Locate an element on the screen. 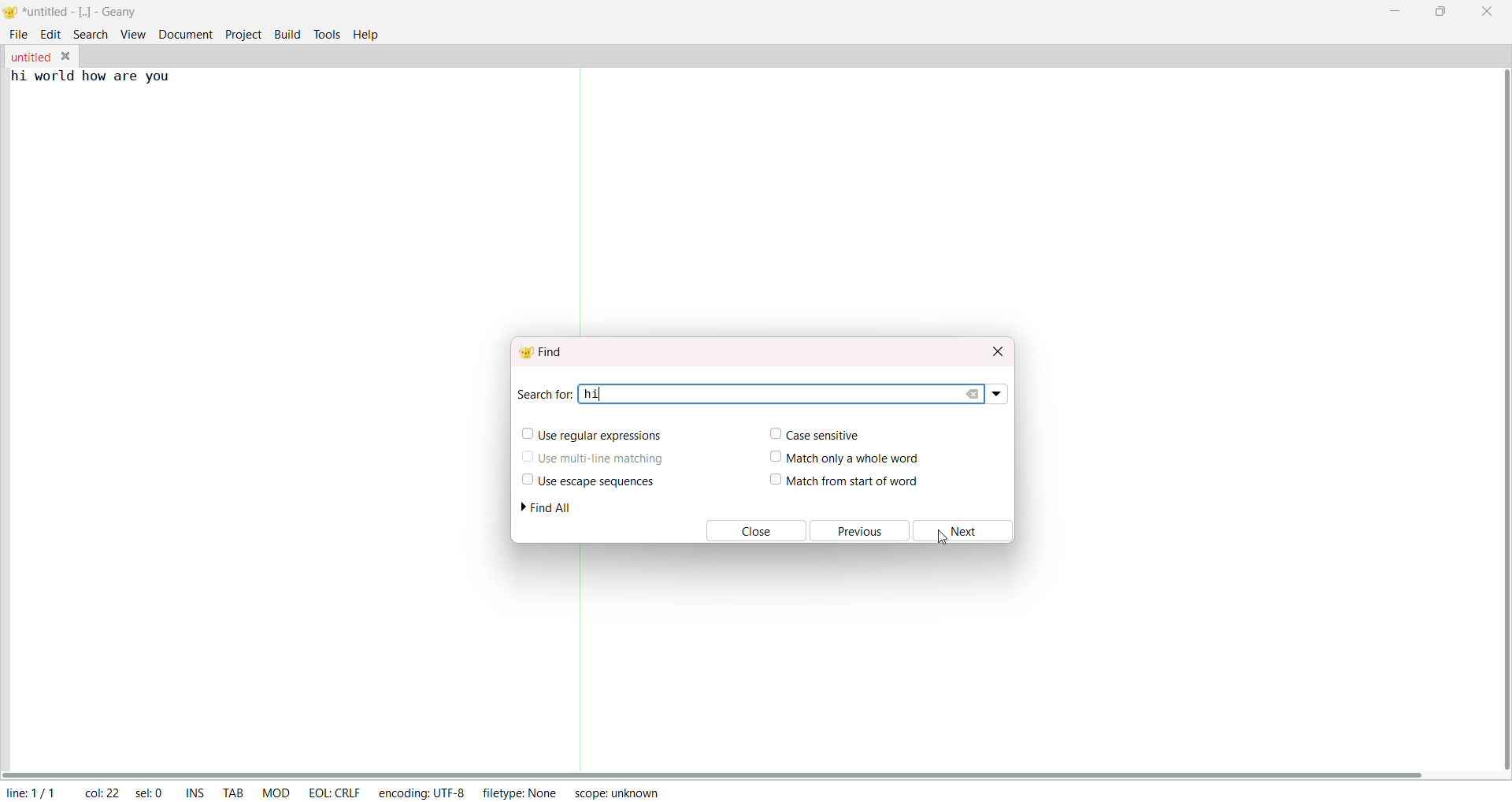 This screenshot has height=802, width=1512. document is located at coordinates (183, 34).